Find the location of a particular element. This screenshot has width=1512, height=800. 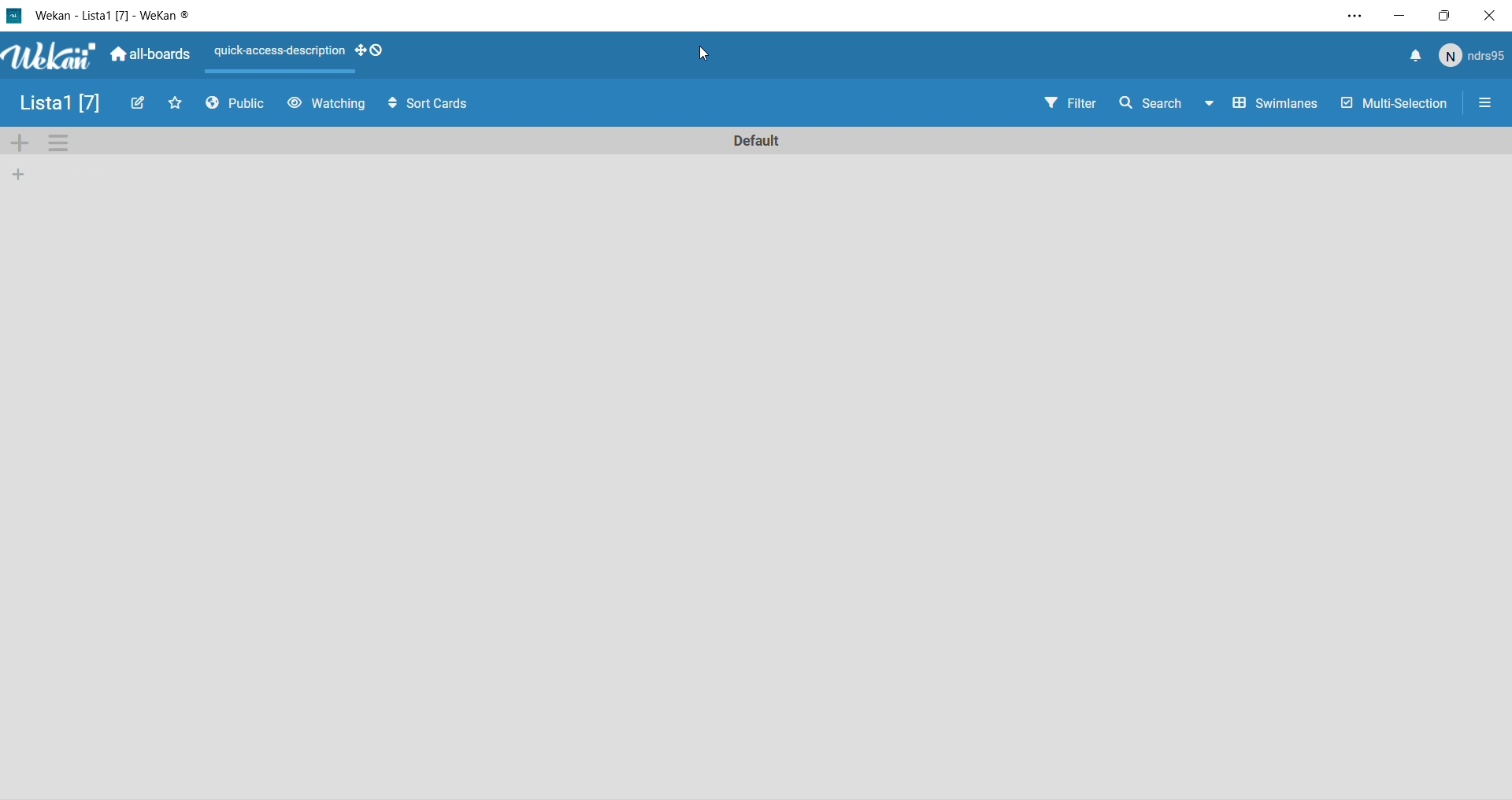

Wekan is located at coordinates (98, 53).